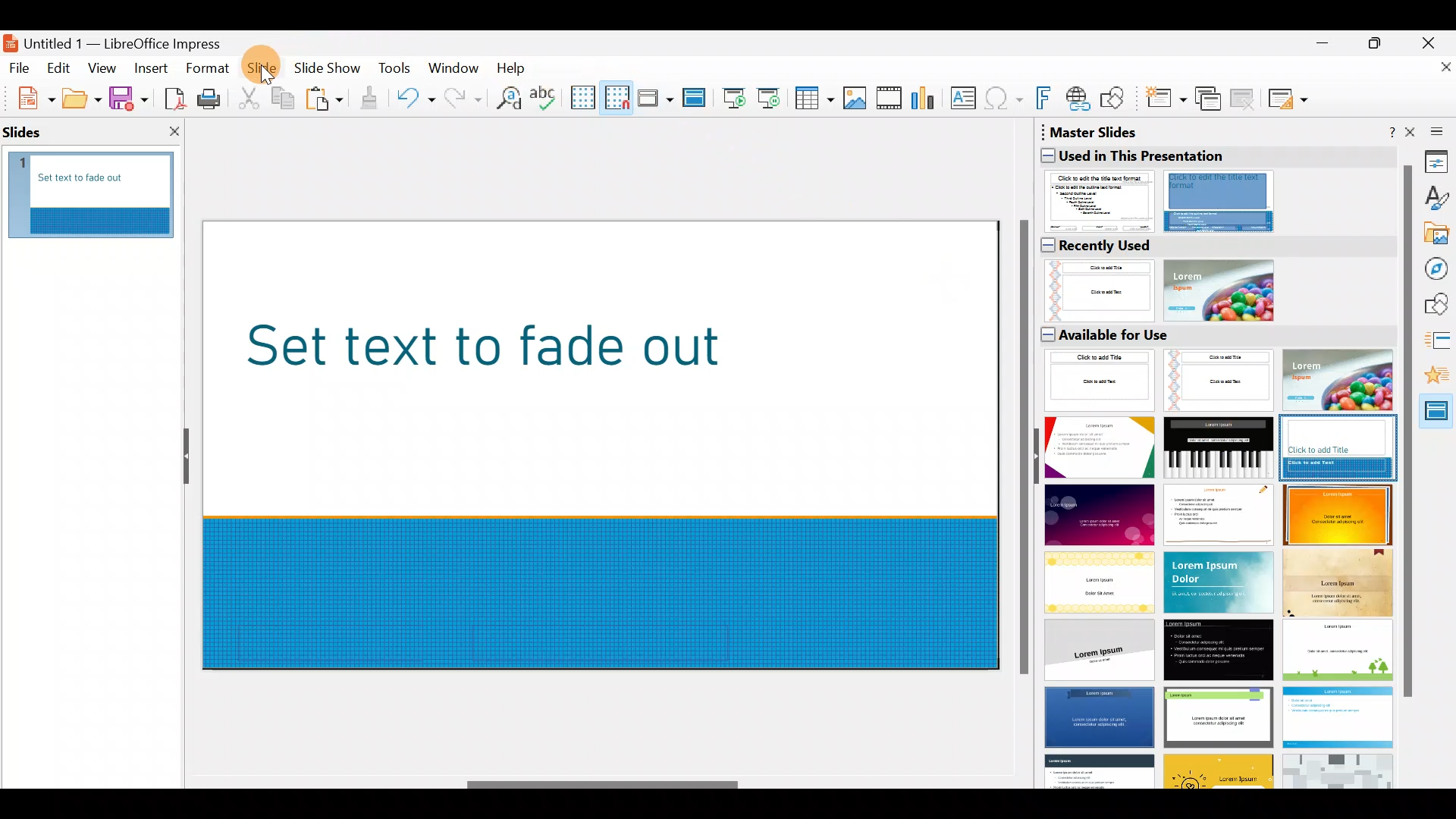 The height and width of the screenshot is (819, 1456). I want to click on Slides available for use, so click(1216, 556).